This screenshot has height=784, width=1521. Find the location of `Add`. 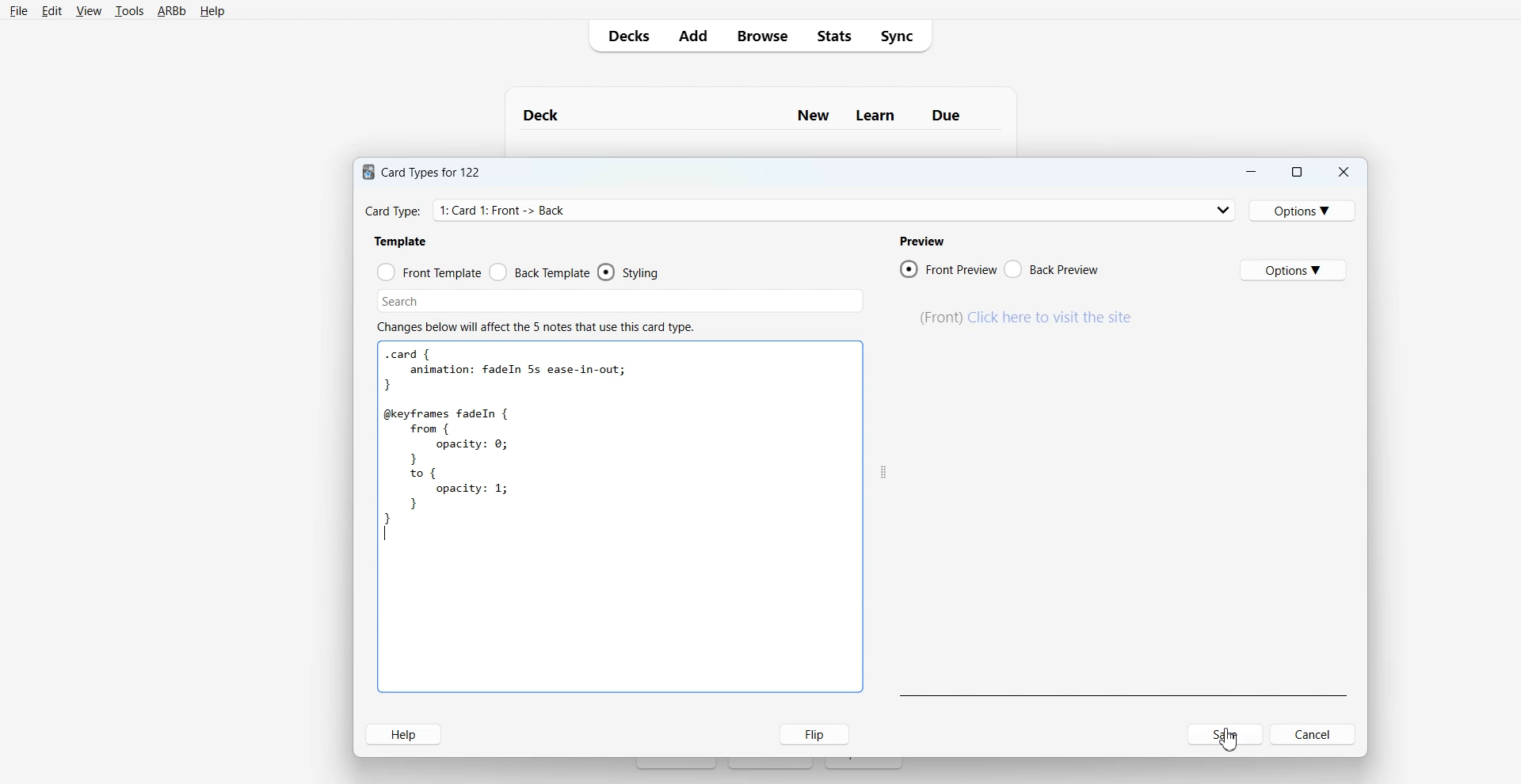

Add is located at coordinates (692, 35).